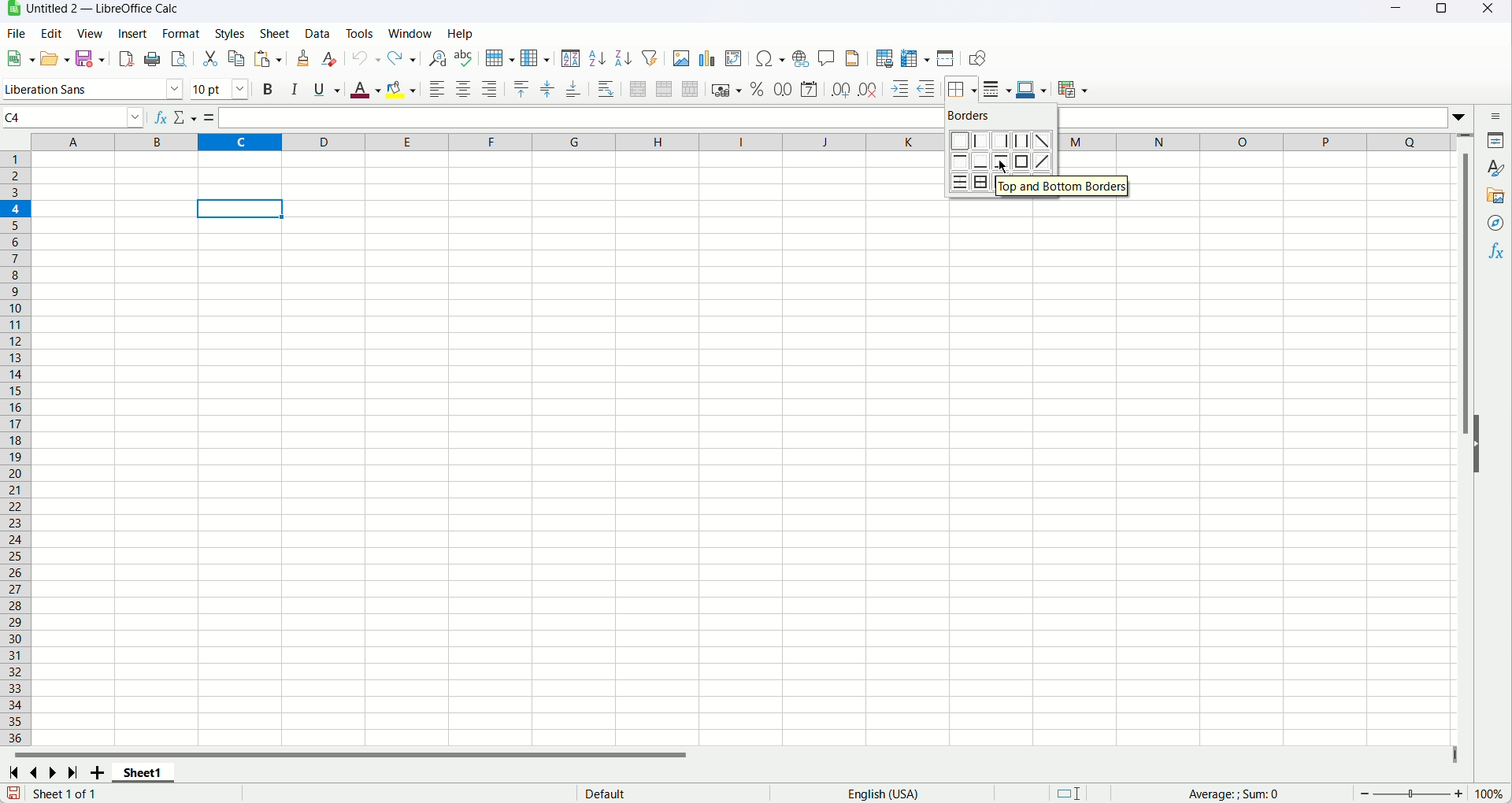 This screenshot has height=803, width=1512. Describe the element at coordinates (161, 120) in the screenshot. I see `Function wizard` at that location.